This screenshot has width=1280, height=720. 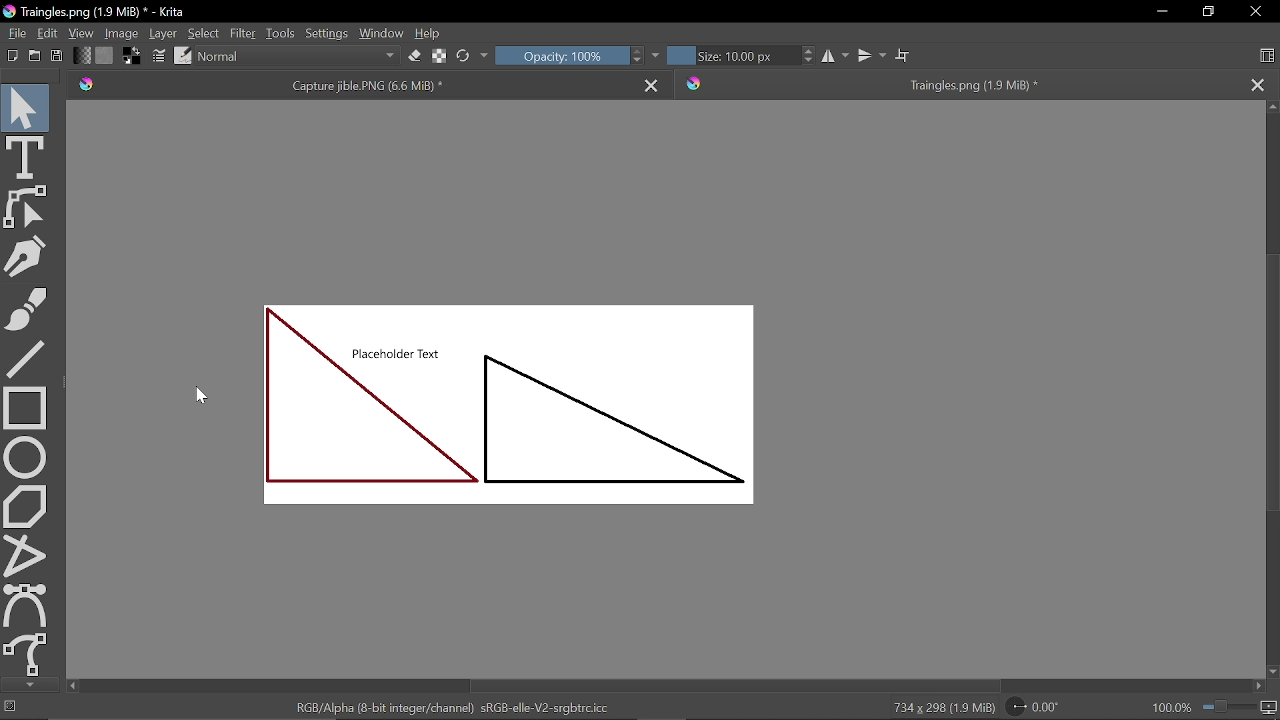 I want to click on Gradient fill, so click(x=80, y=57).